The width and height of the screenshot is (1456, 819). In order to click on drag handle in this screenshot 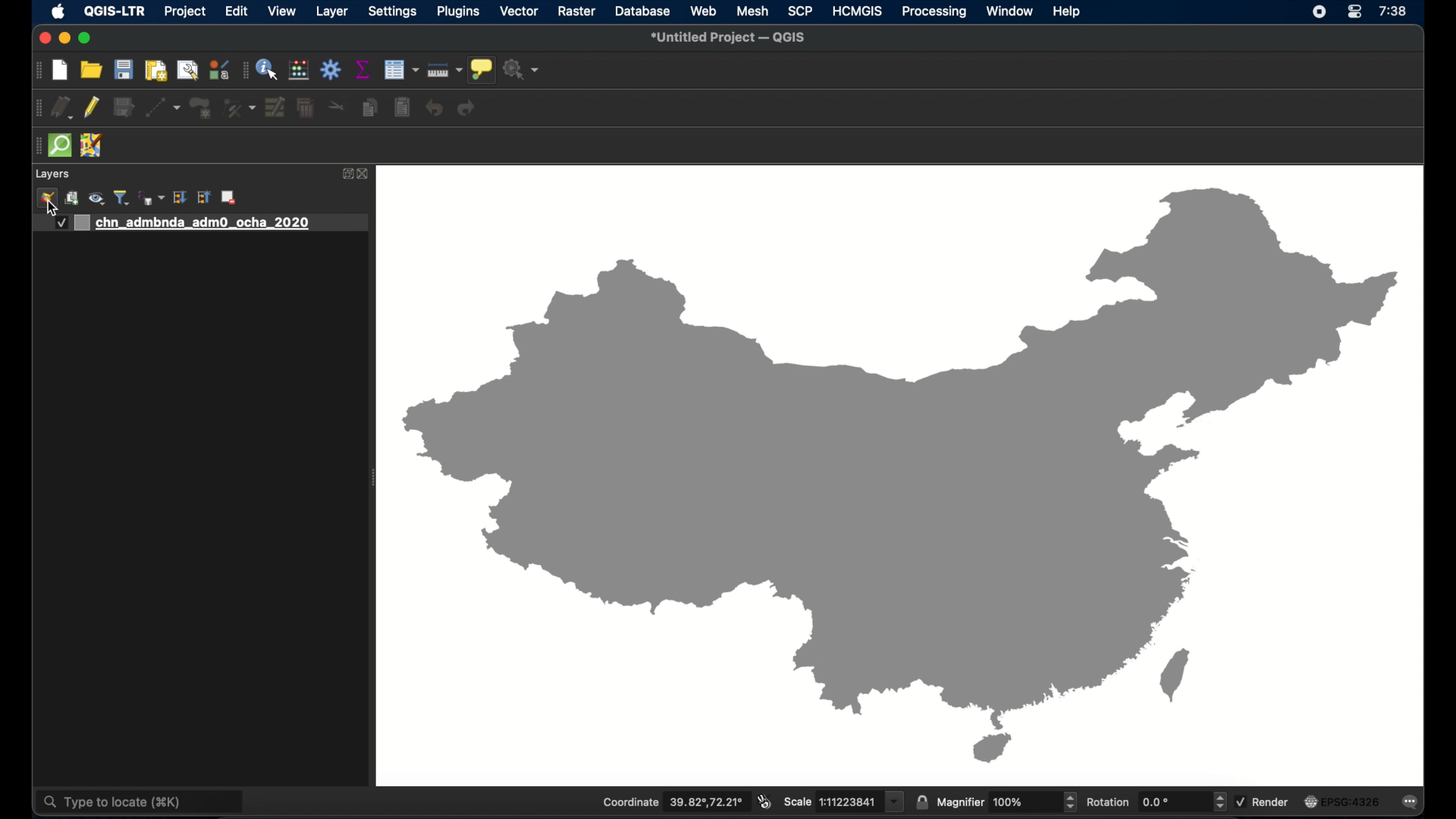, I will do `click(38, 71)`.